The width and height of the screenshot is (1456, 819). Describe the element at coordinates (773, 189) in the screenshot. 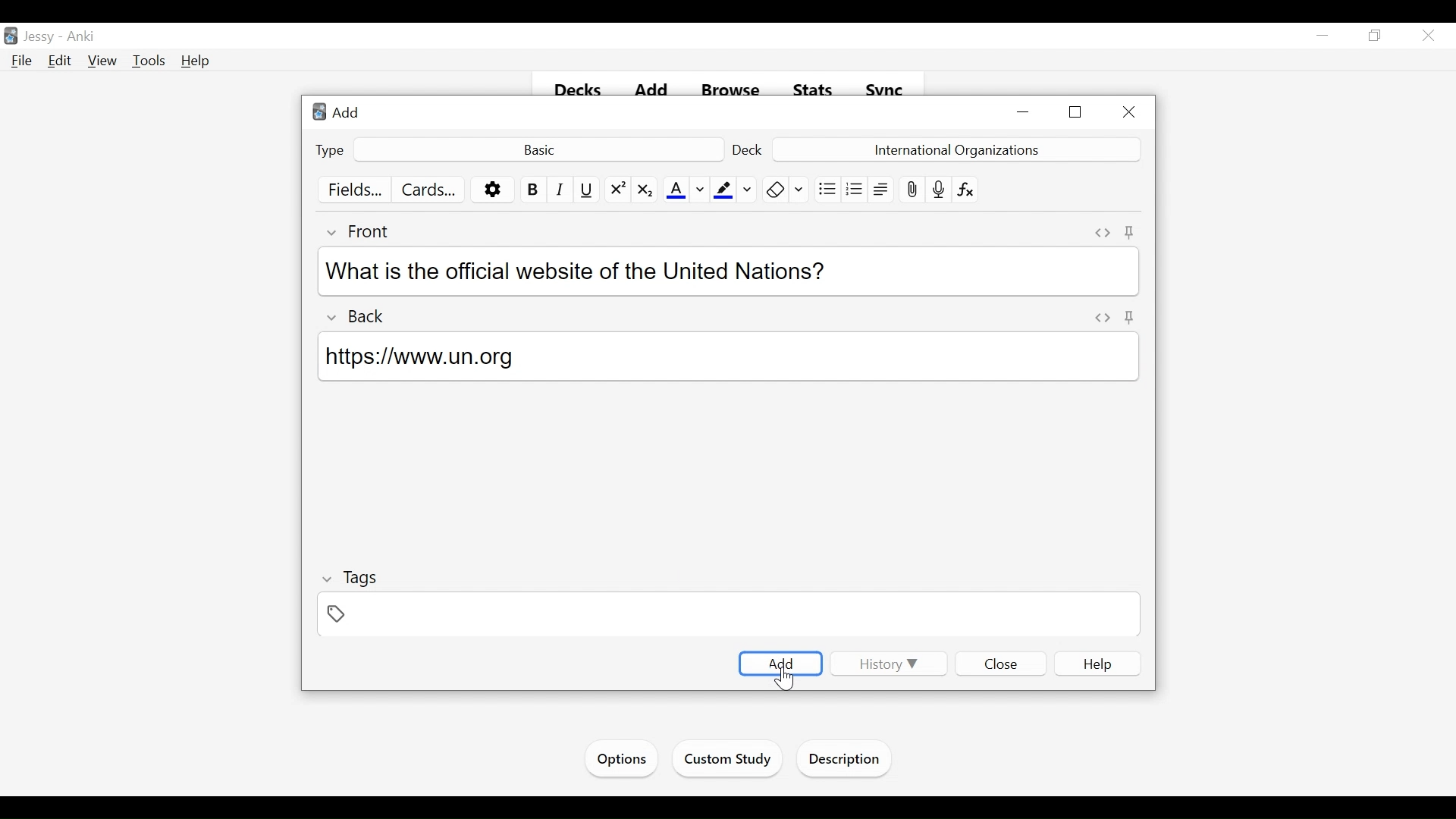

I see `Clear formatting` at that location.